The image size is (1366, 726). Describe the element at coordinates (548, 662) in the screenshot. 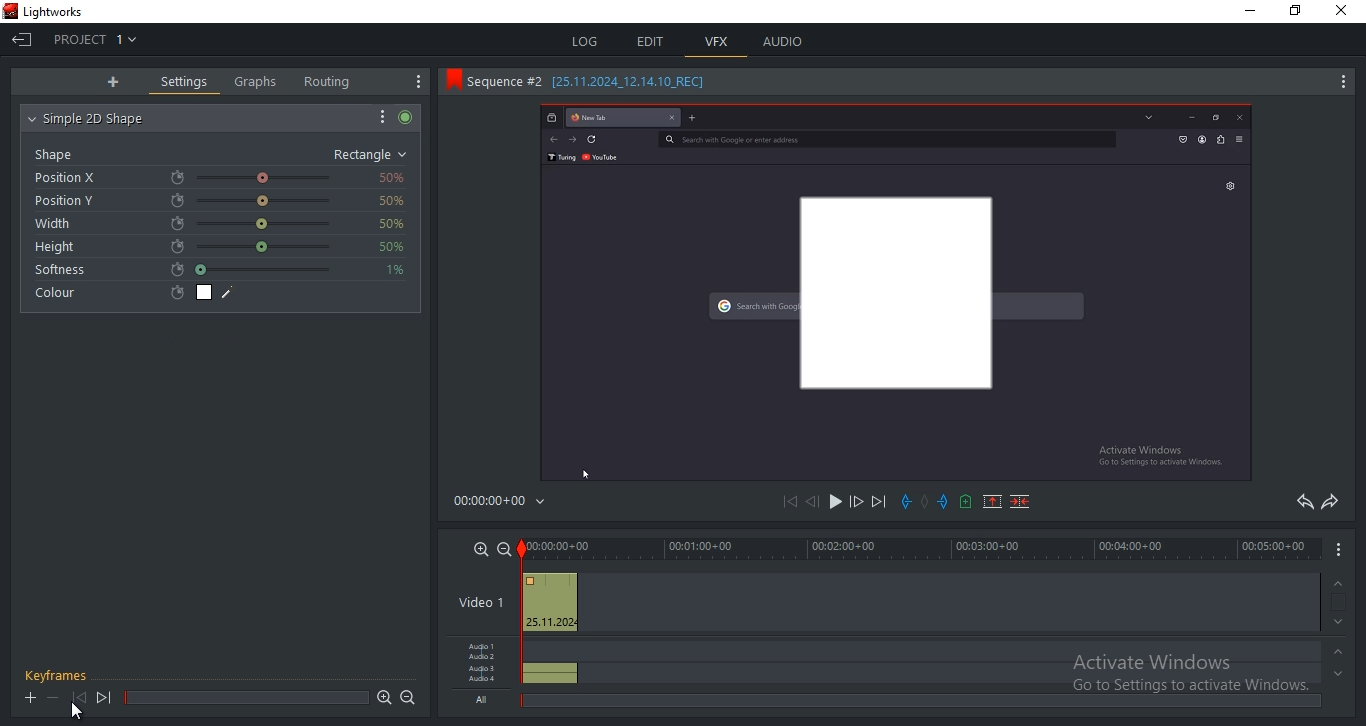

I see `audio` at that location.